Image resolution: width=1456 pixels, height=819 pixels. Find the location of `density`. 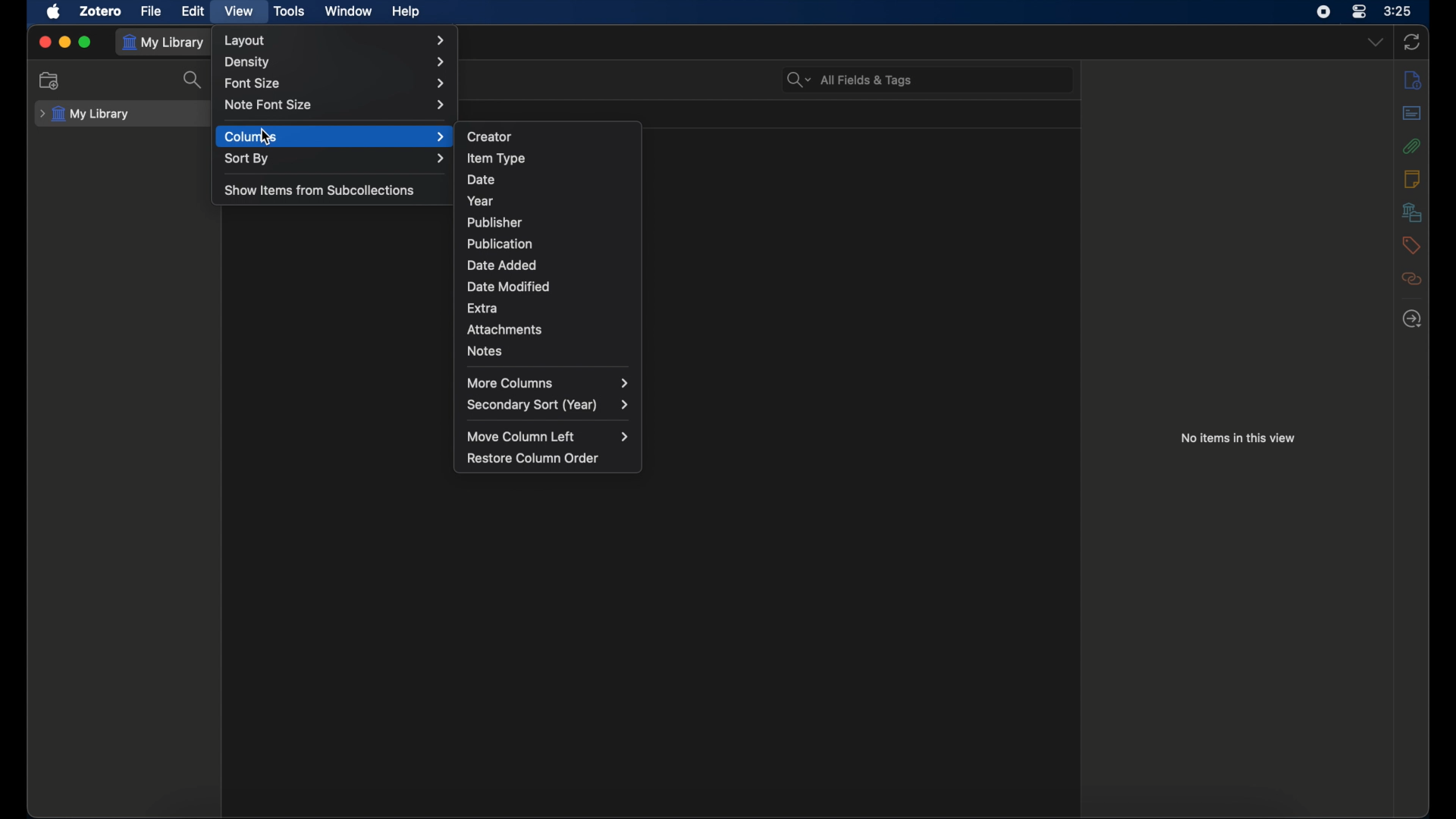

density is located at coordinates (337, 62).